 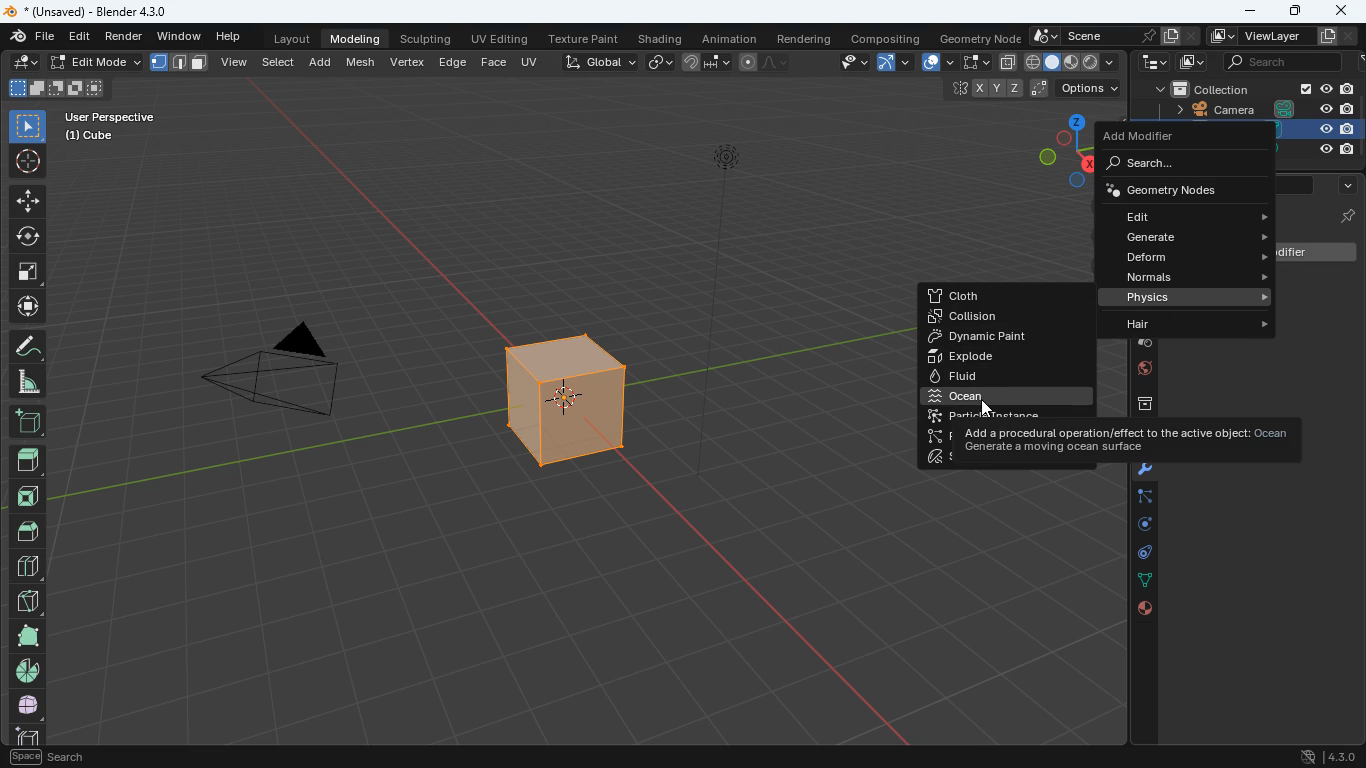 What do you see at coordinates (180, 62) in the screenshot?
I see `shape` at bounding box center [180, 62].